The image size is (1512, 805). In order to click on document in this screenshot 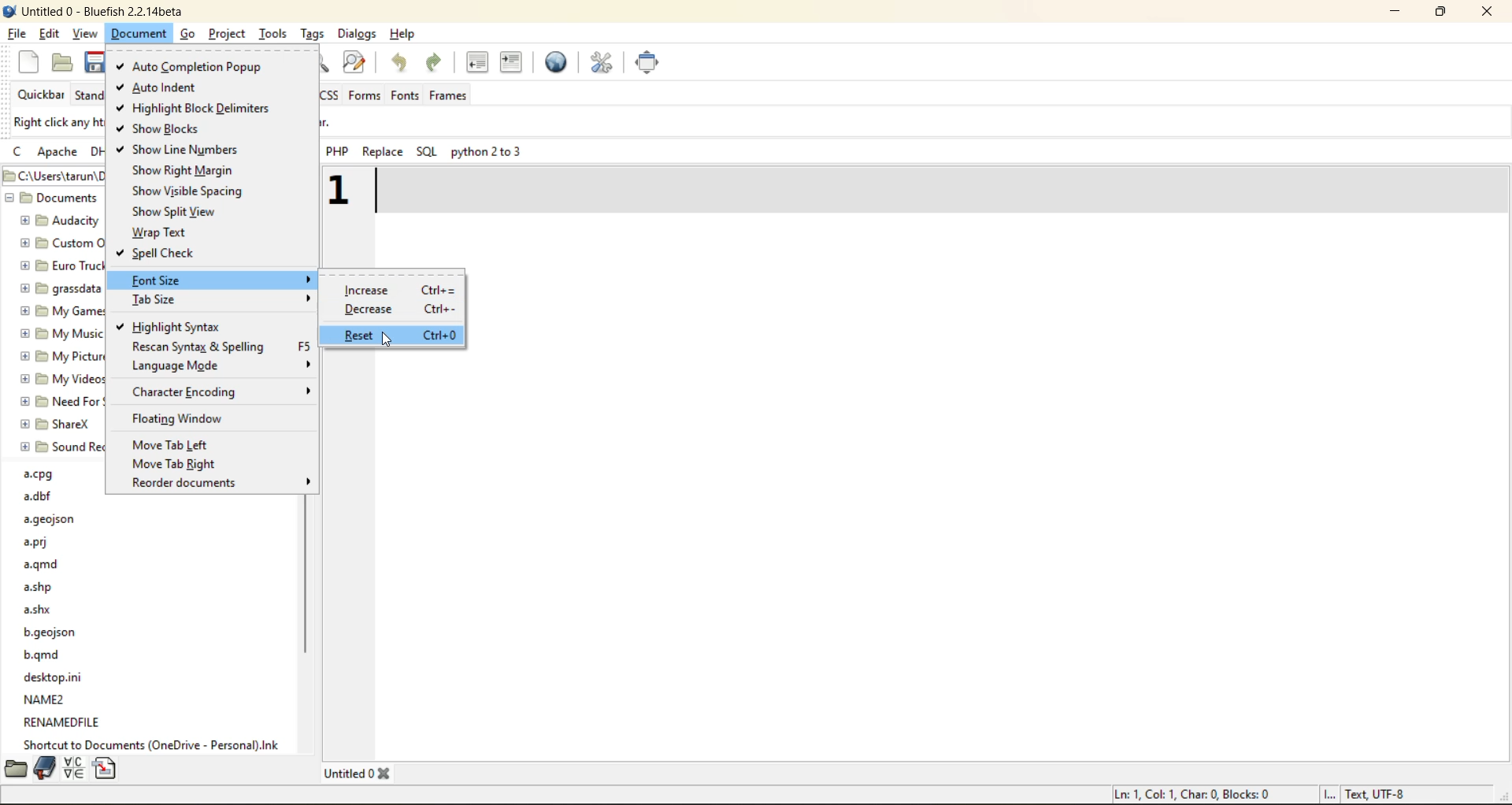, I will do `click(139, 35)`.